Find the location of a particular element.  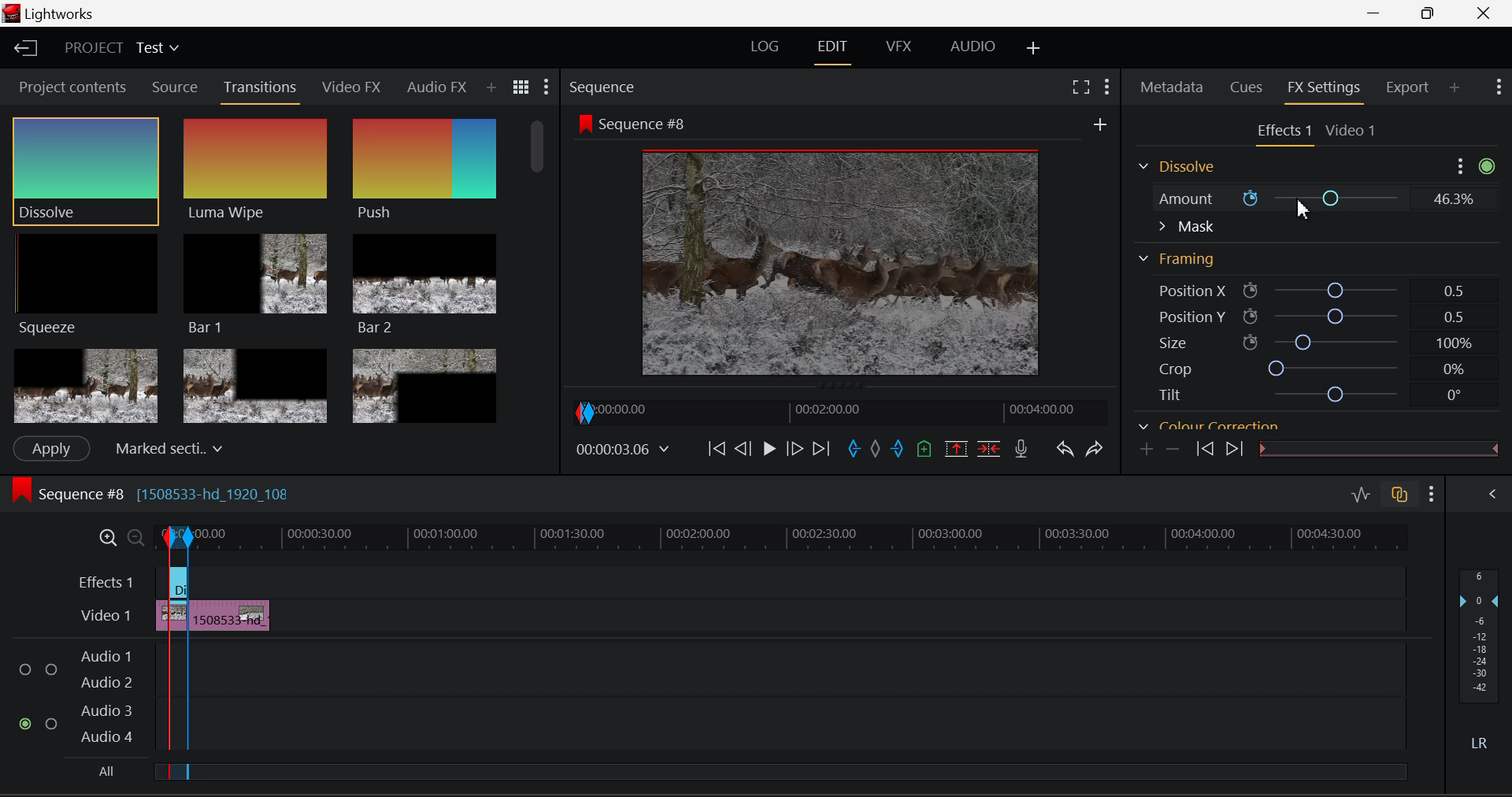

Mark In Point is located at coordinates (854, 451).